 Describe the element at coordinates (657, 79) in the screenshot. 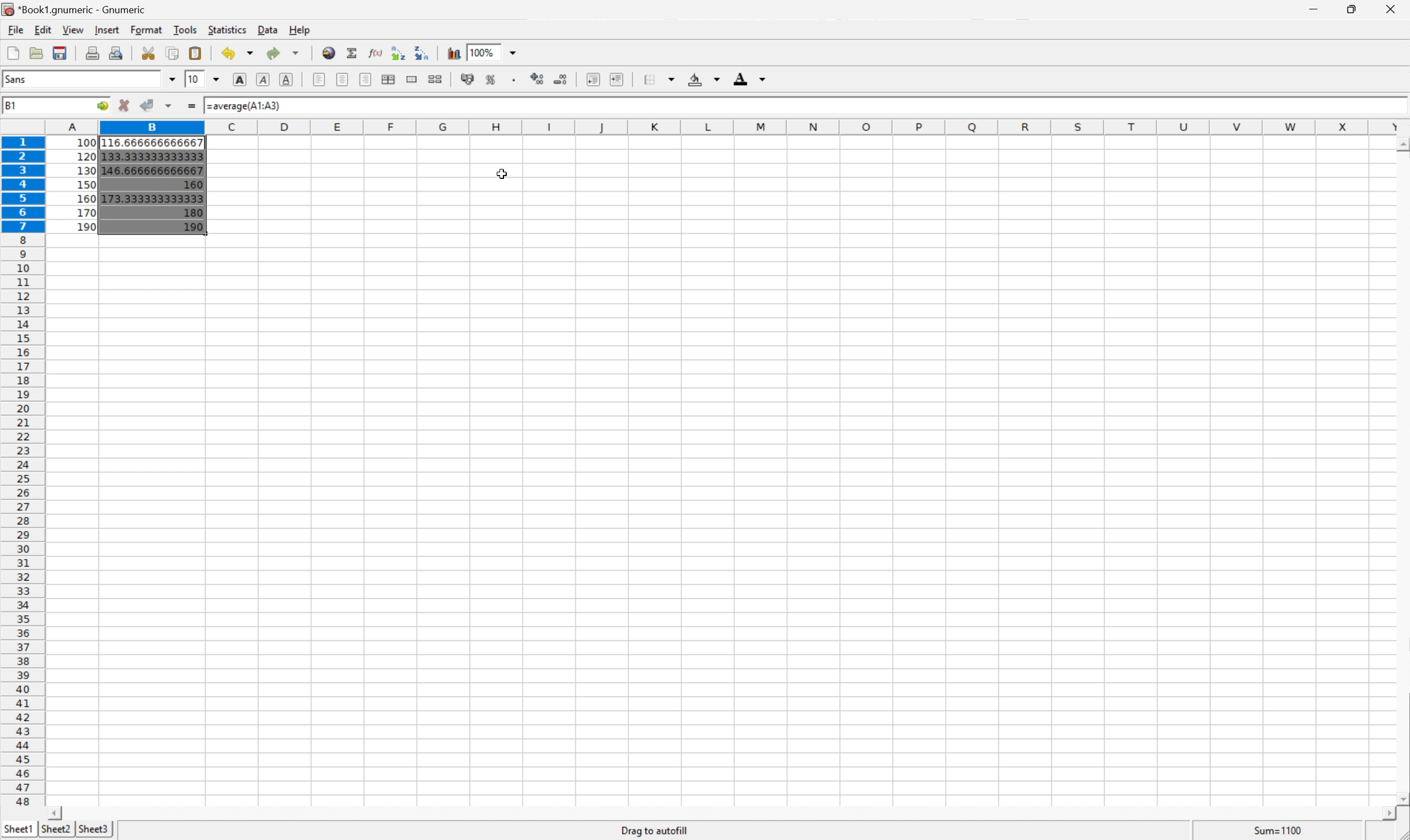

I see `Borders` at that location.